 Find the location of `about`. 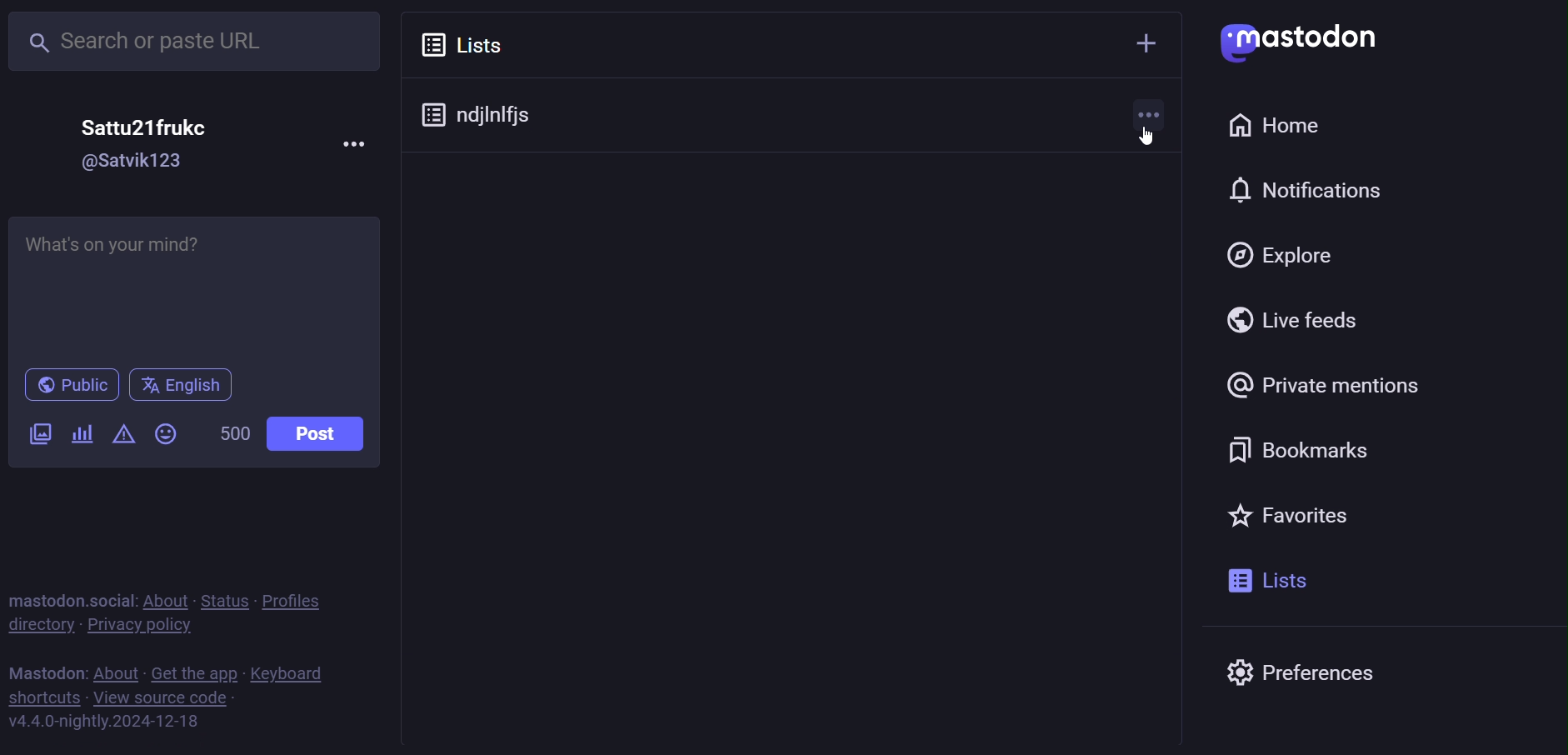

about is located at coordinates (115, 671).